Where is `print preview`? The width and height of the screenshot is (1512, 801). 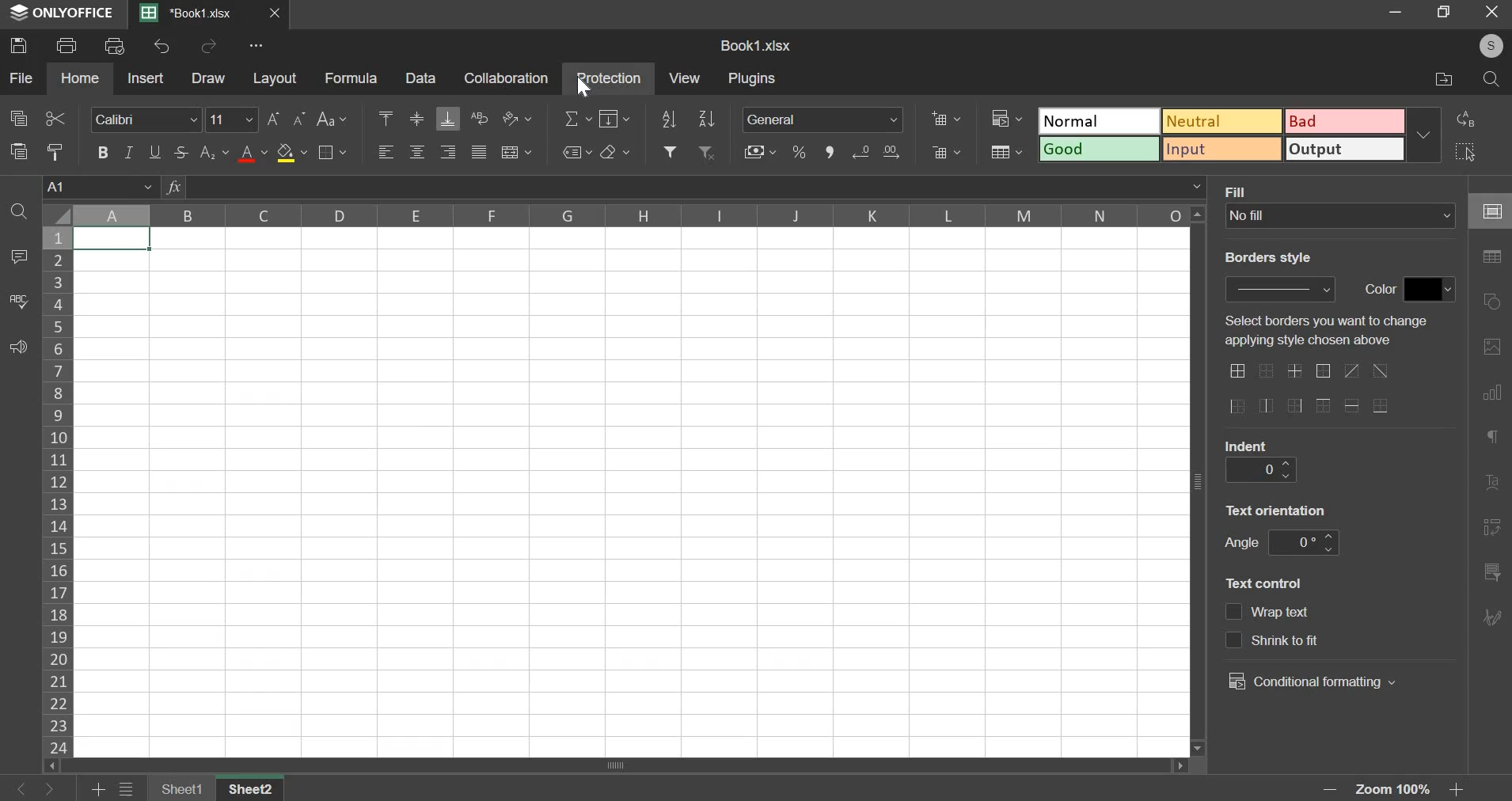 print preview is located at coordinates (113, 44).